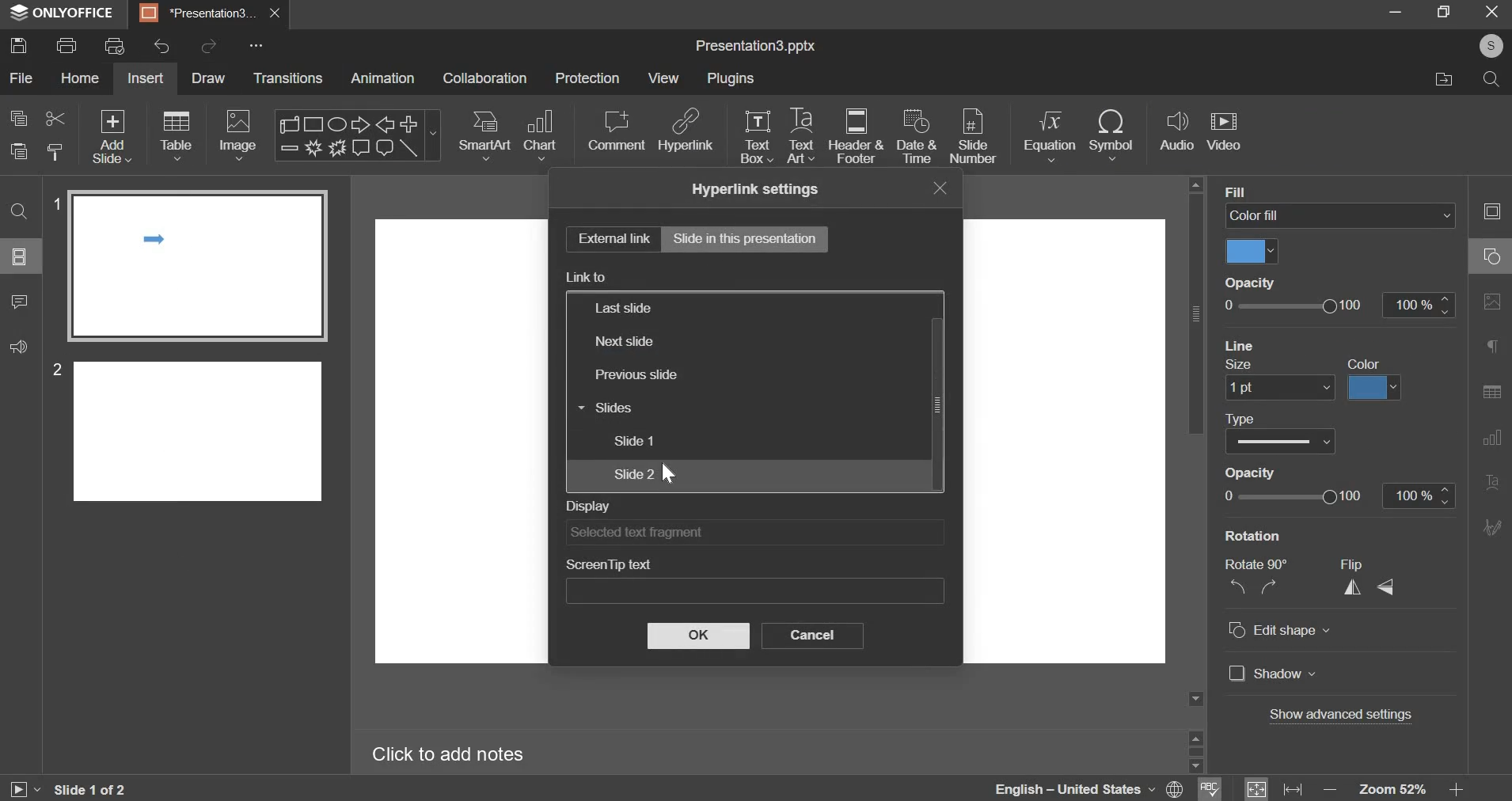 The height and width of the screenshot is (801, 1512). What do you see at coordinates (1396, 11) in the screenshot?
I see `minimize` at bounding box center [1396, 11].